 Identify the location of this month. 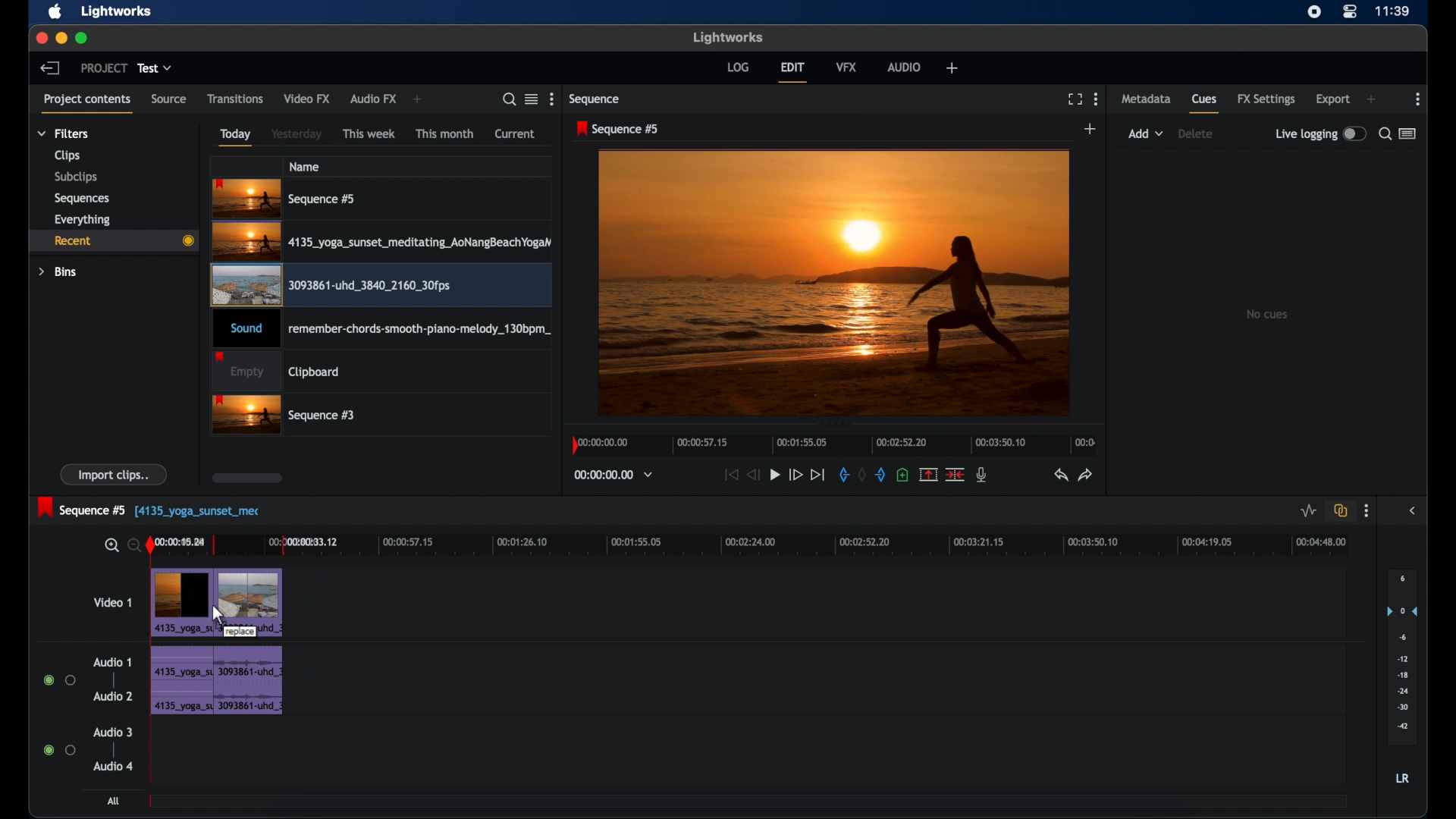
(444, 133).